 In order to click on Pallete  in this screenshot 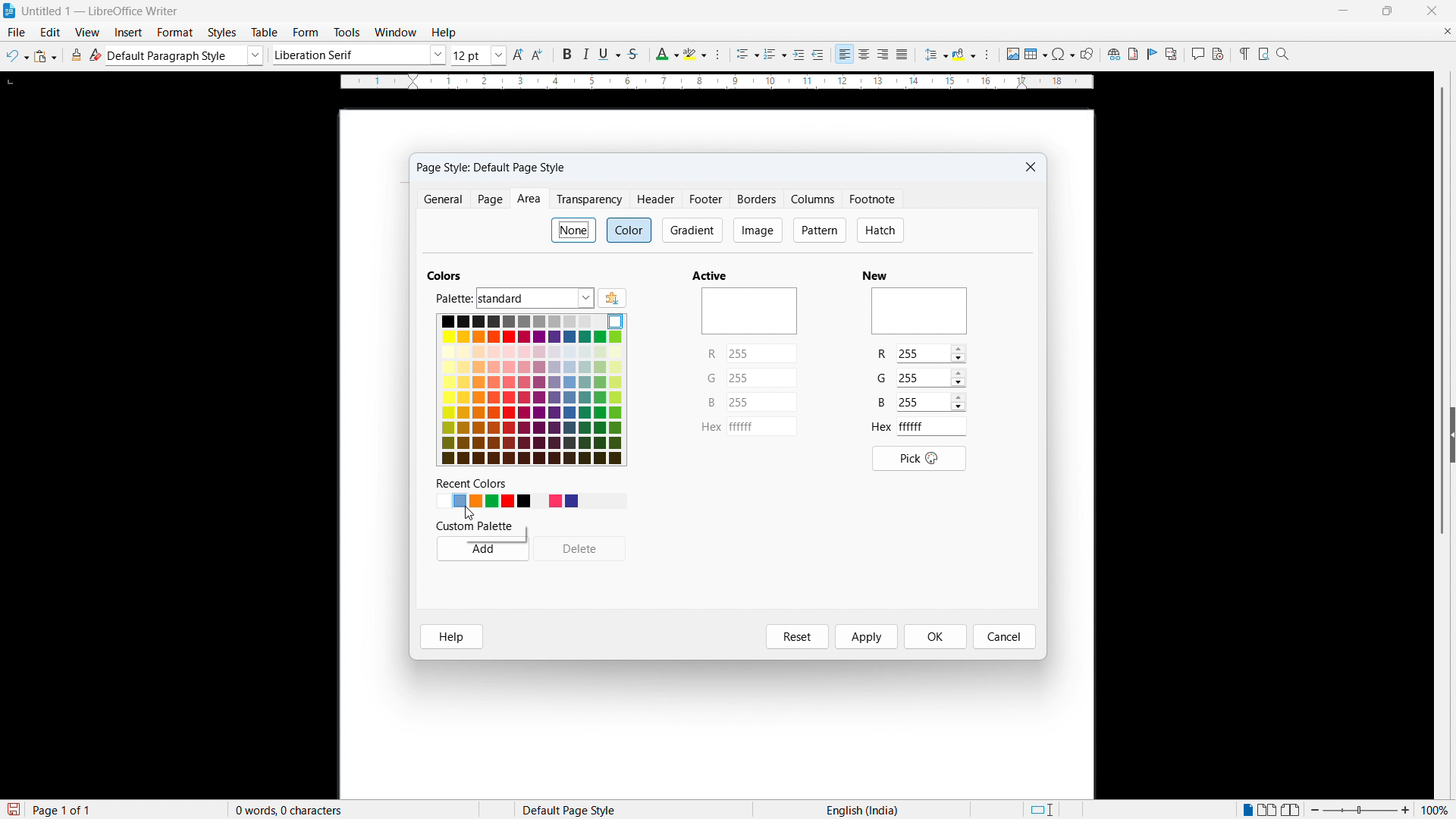, I will do `click(534, 298)`.